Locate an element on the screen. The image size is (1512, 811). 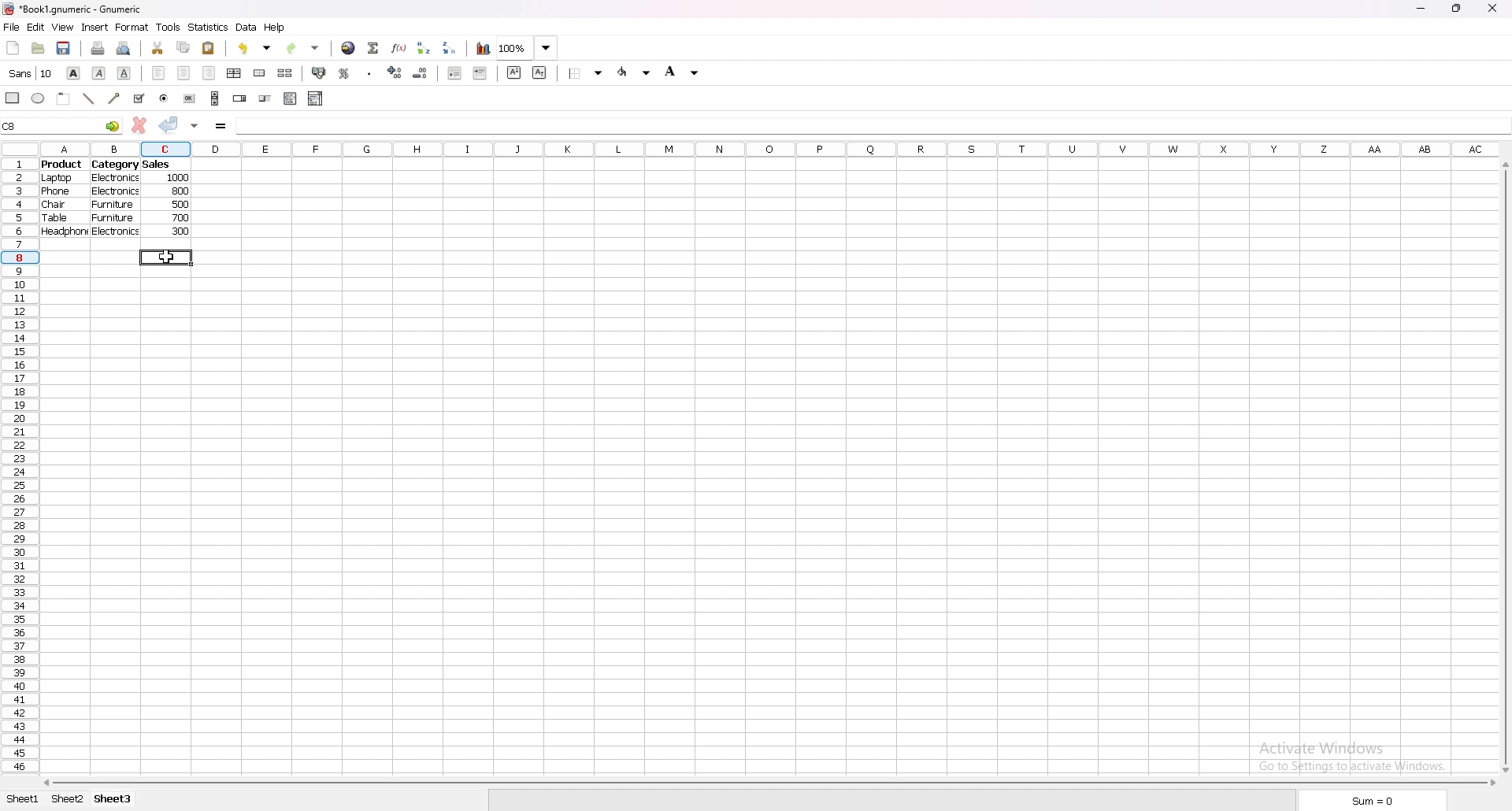
italic is located at coordinates (99, 73).